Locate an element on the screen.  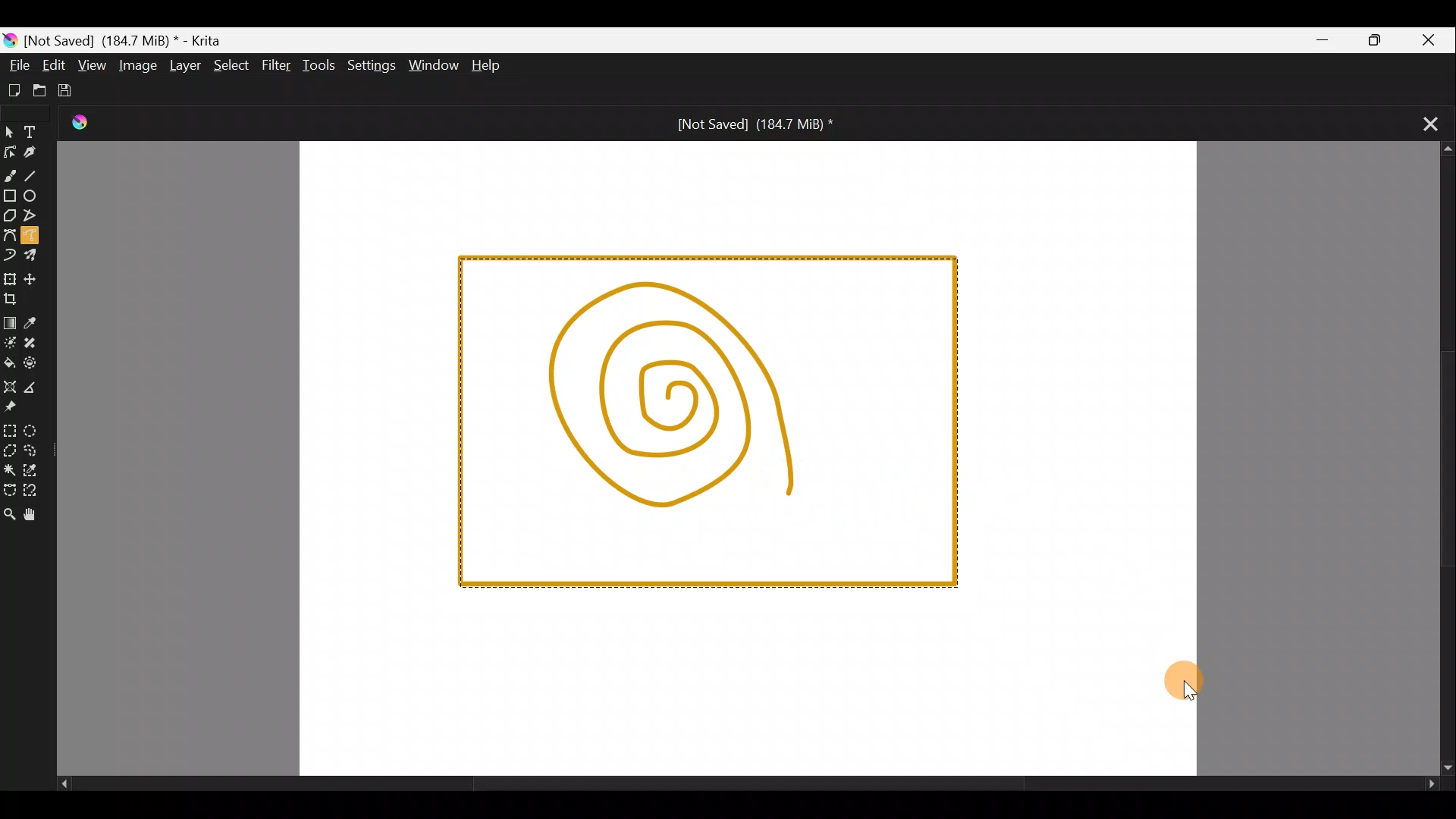
) [Not Saved] (184.7 MiB) * - Krita is located at coordinates (130, 39).